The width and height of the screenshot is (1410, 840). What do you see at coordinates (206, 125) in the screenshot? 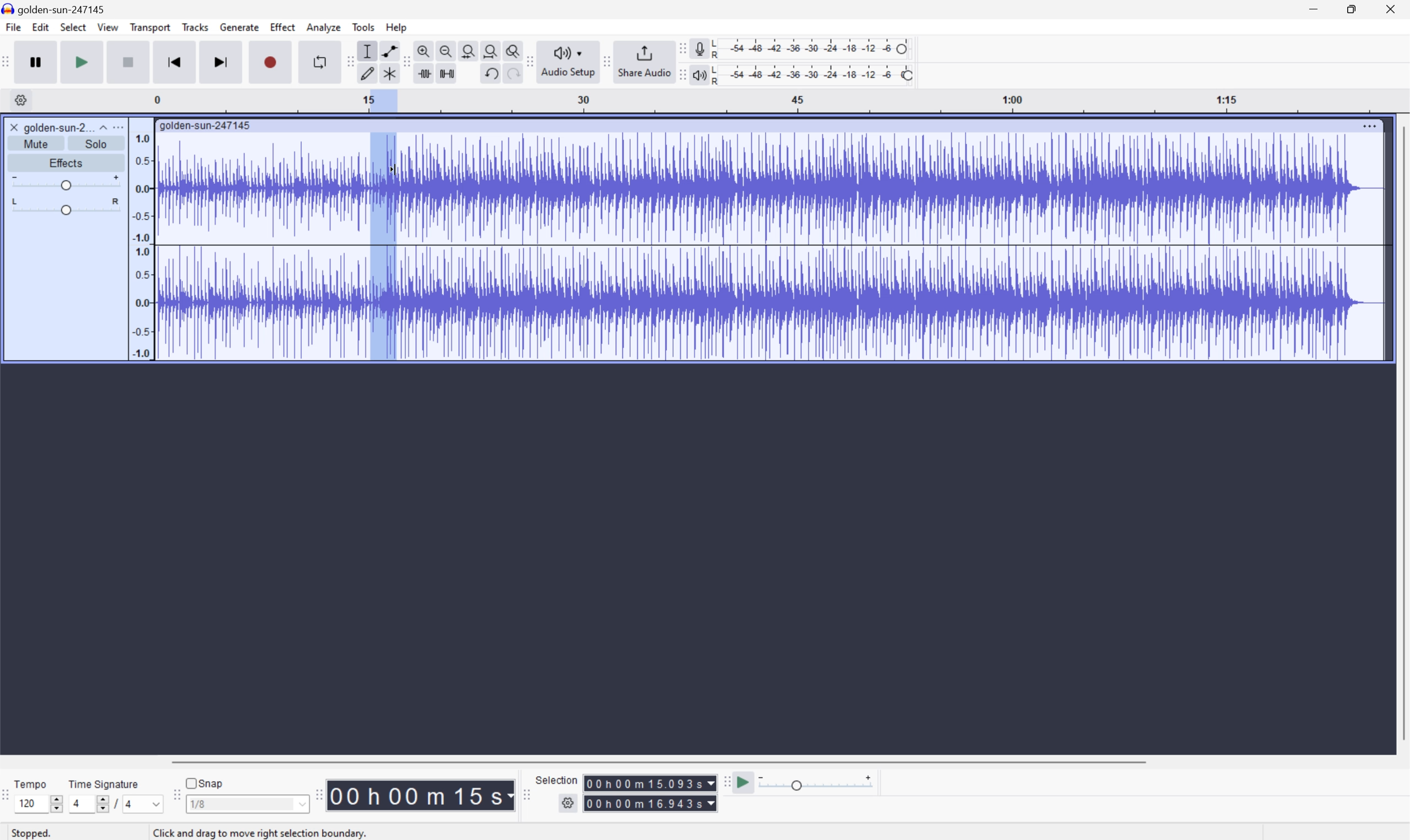
I see `golden-sun-247145` at bounding box center [206, 125].